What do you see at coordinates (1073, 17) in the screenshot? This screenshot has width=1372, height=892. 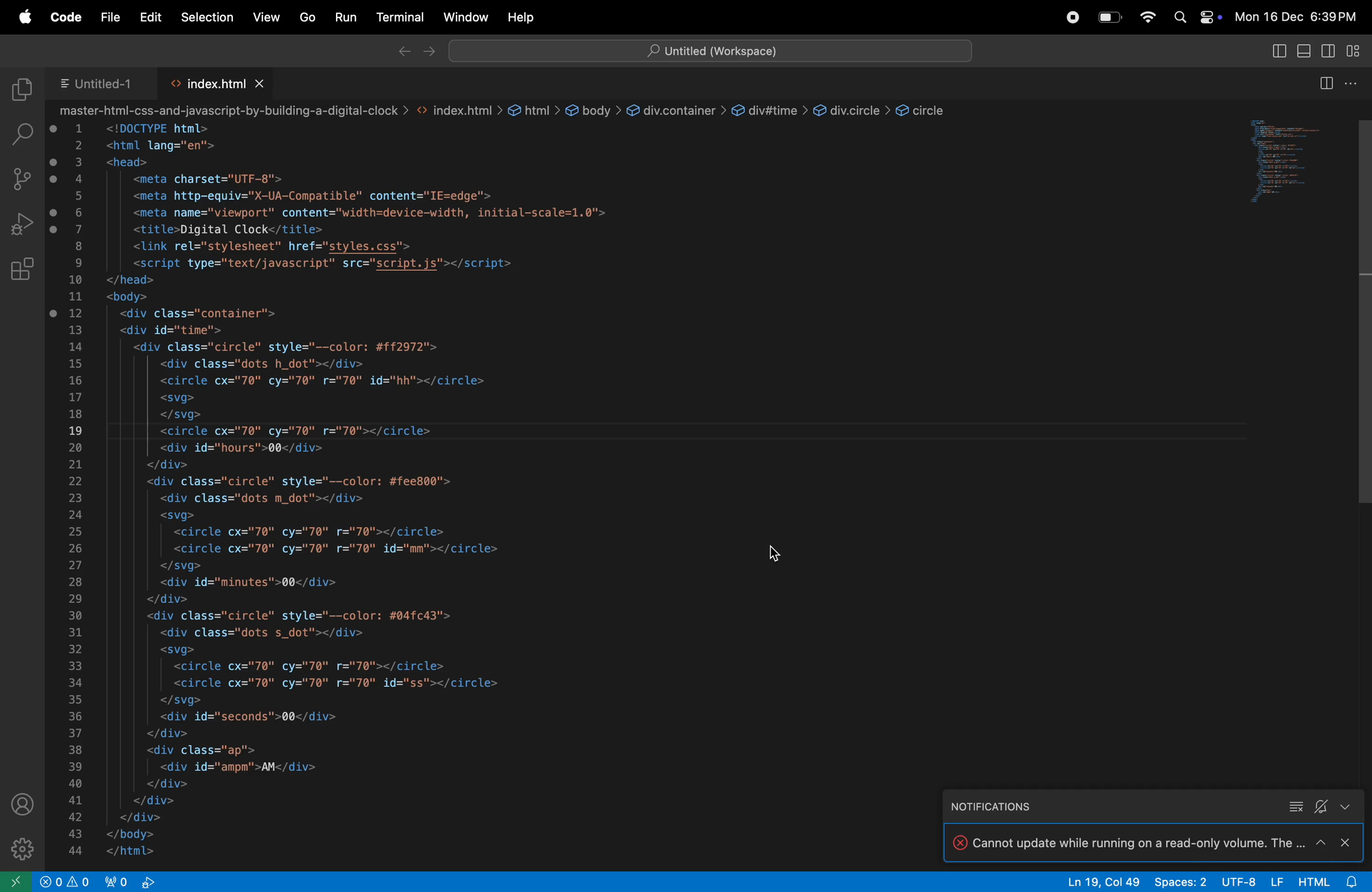 I see `record` at bounding box center [1073, 17].